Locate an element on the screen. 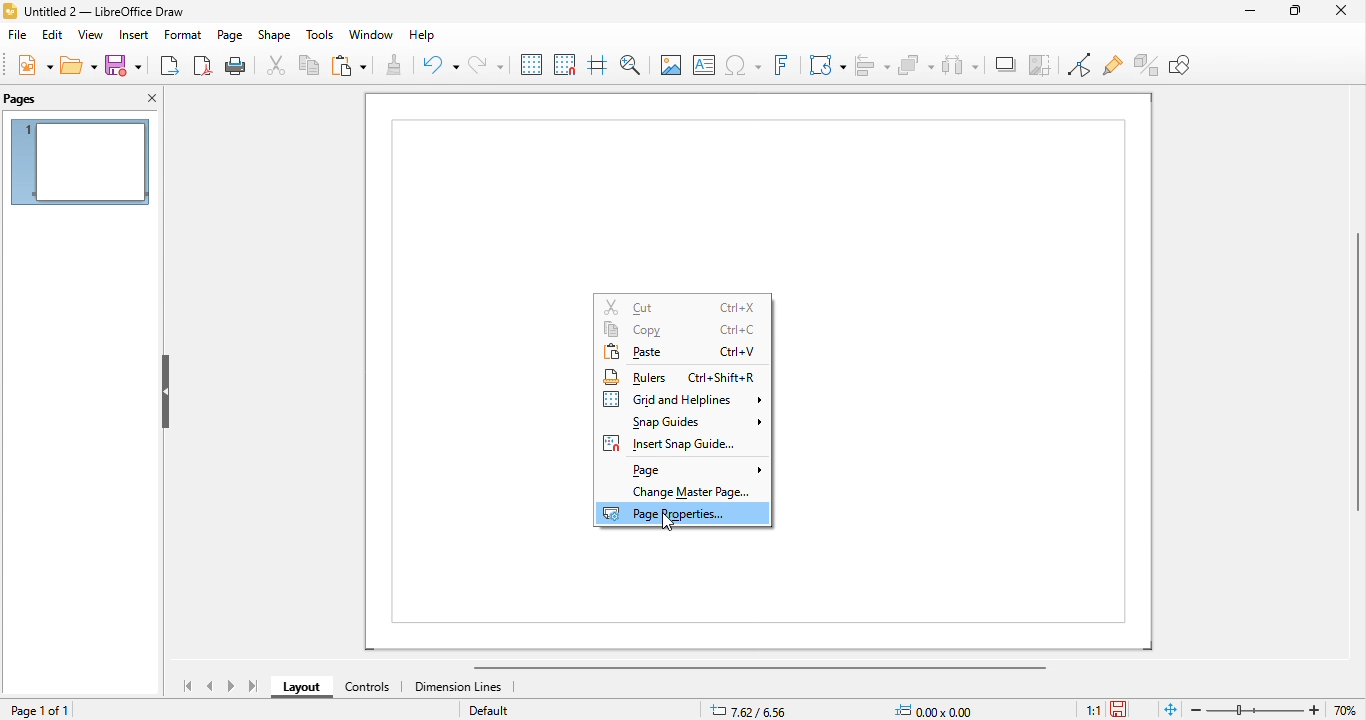 The height and width of the screenshot is (720, 1366). cut is located at coordinates (680, 305).